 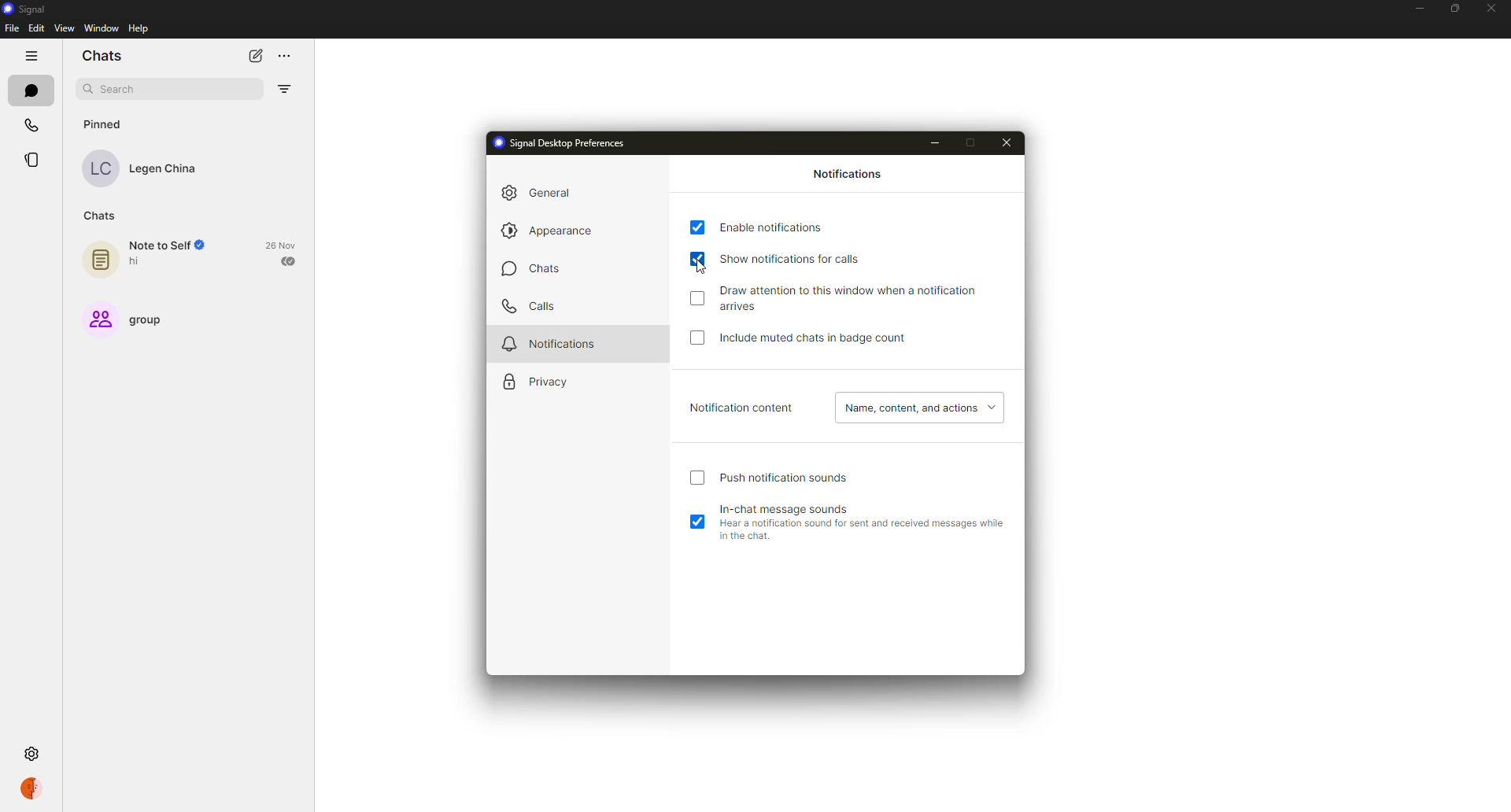 I want to click on draw attention to this window when notification arrives, so click(x=859, y=297).